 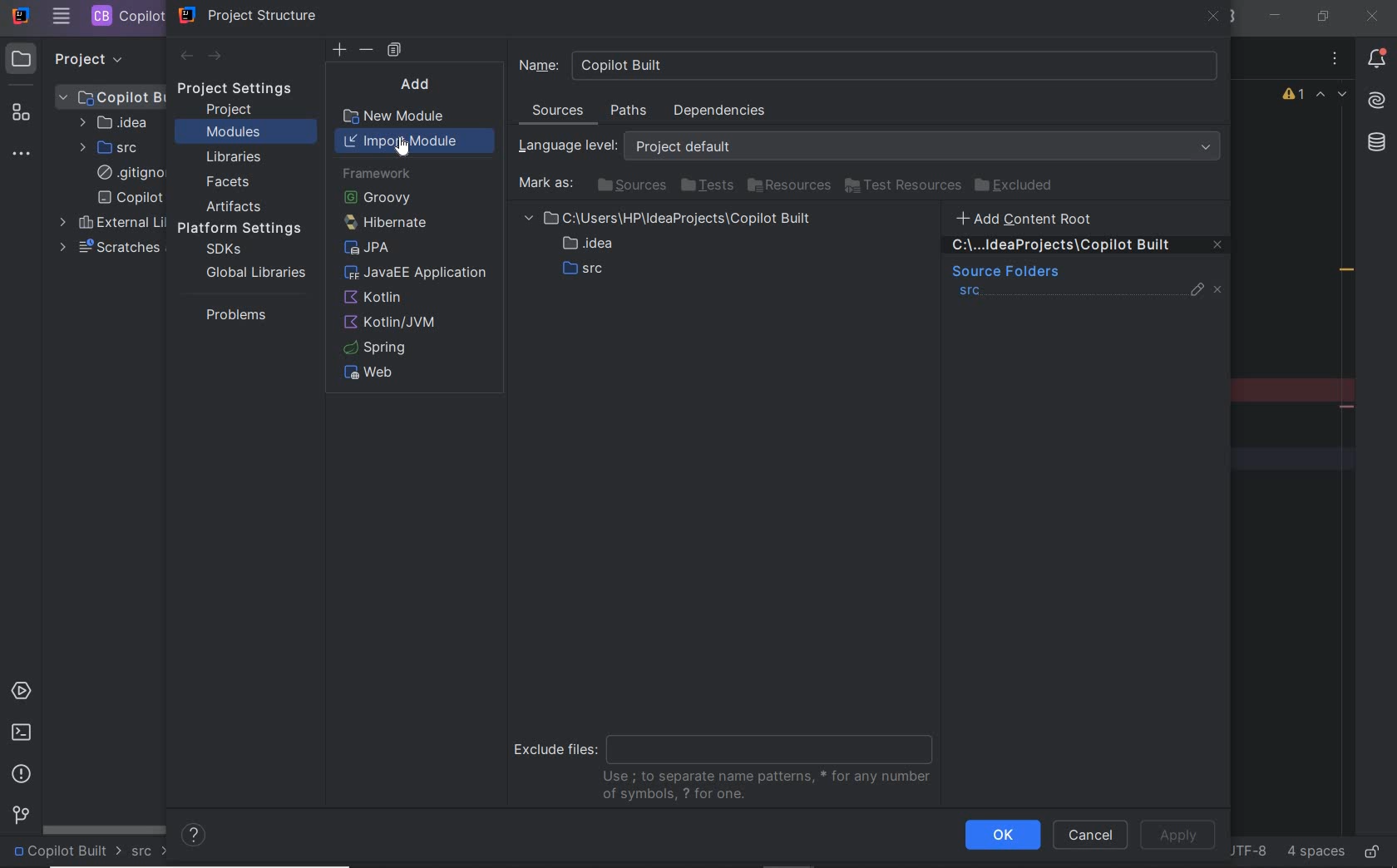 I want to click on resources, so click(x=791, y=186).